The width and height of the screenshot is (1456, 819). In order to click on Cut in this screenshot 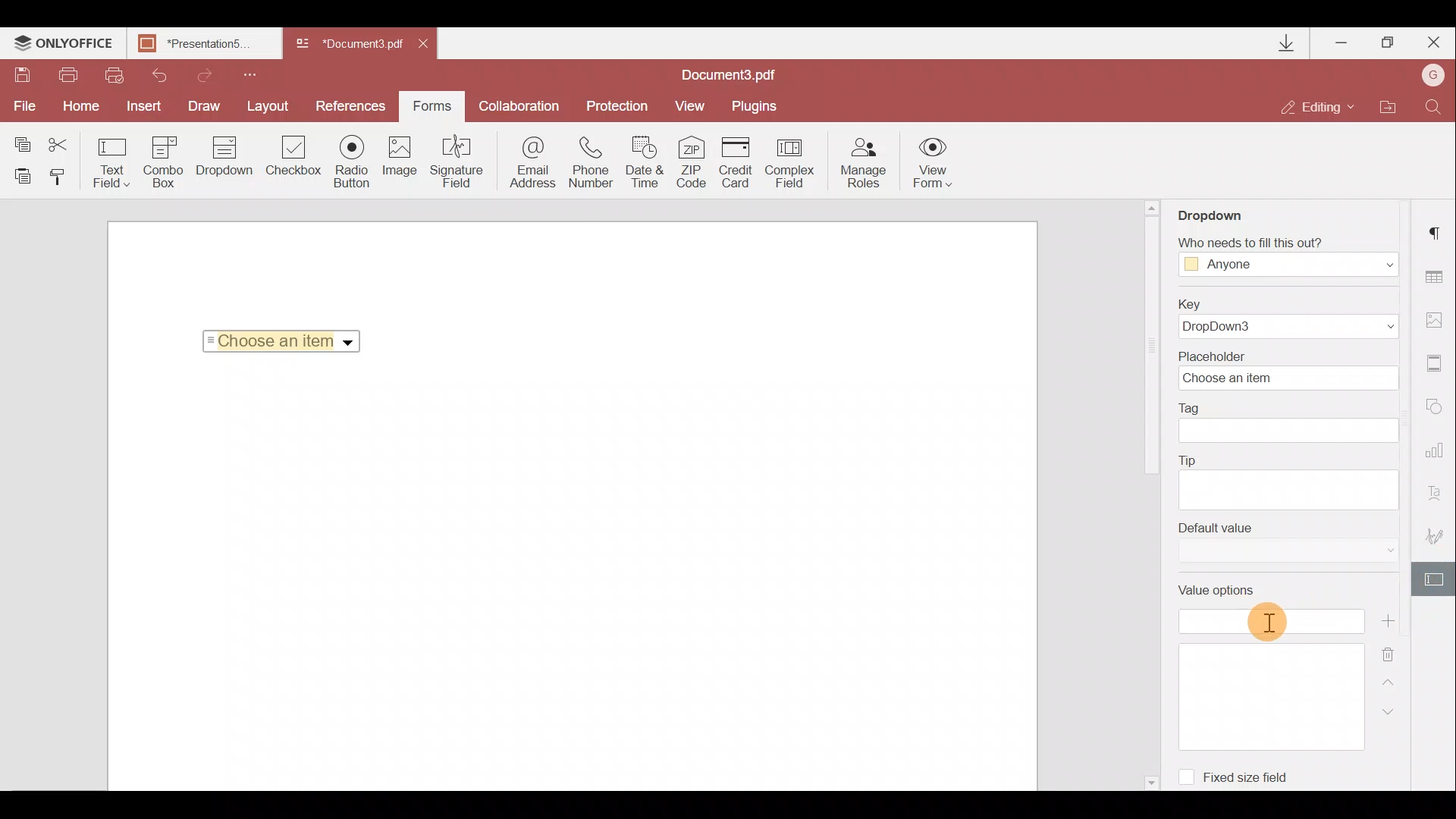, I will do `click(60, 140)`.